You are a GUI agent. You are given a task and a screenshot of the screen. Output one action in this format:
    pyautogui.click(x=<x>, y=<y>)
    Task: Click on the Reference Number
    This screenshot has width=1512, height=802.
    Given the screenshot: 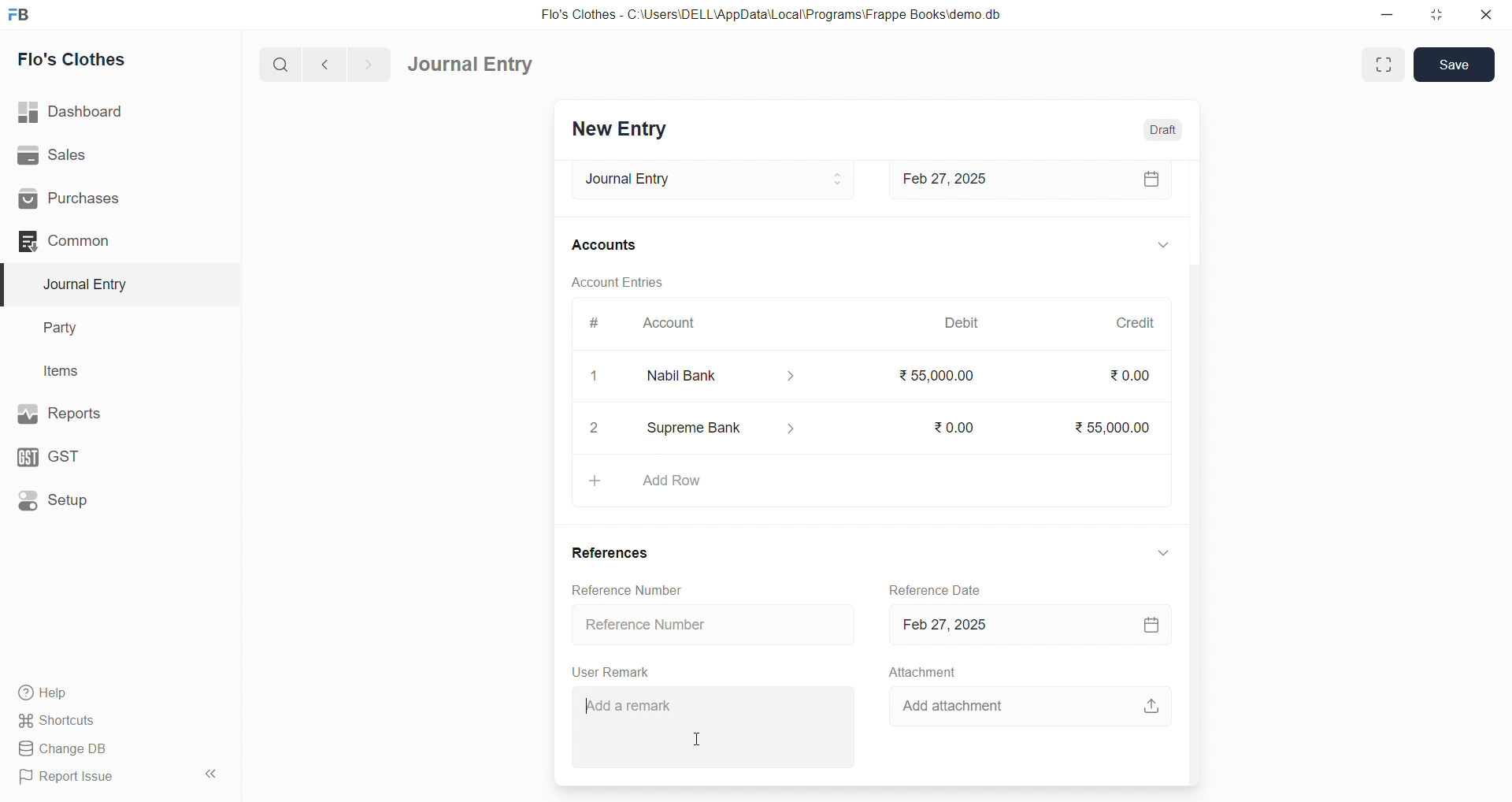 What is the action you would take?
    pyautogui.click(x=627, y=589)
    